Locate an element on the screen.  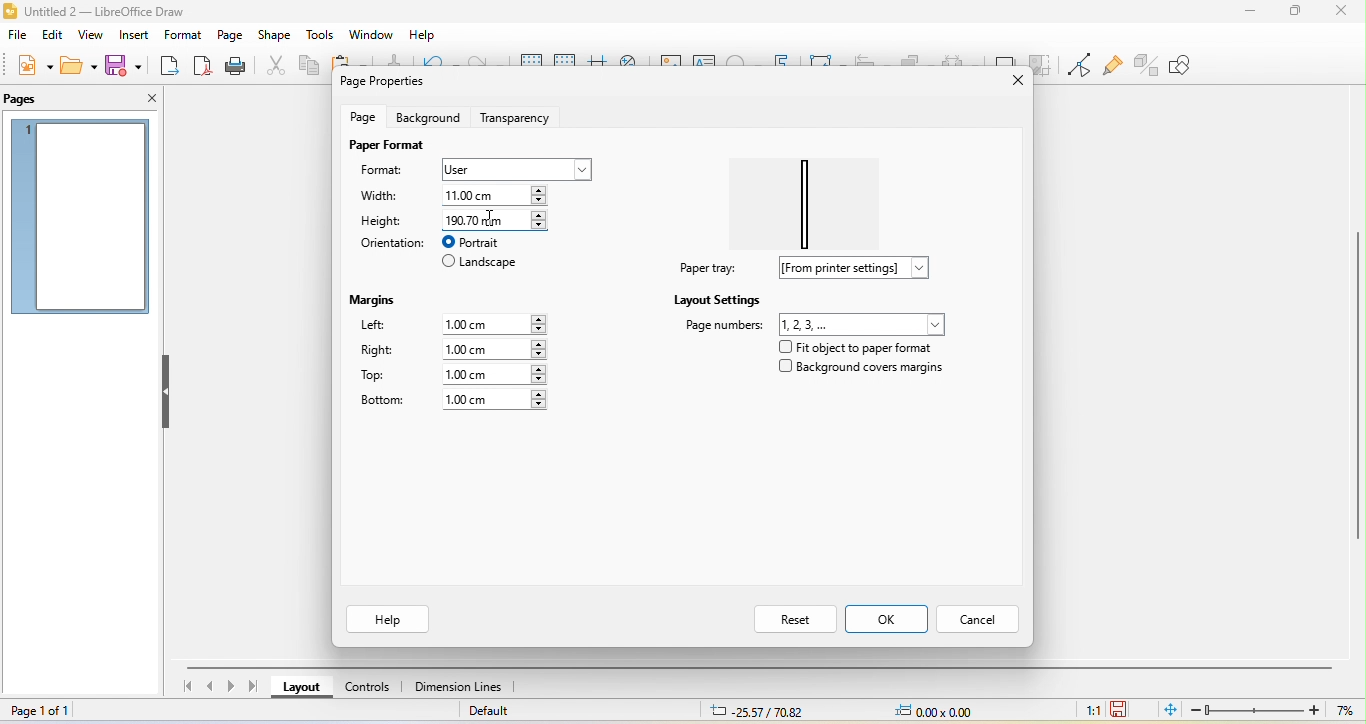
show gluepoint function is located at coordinates (1110, 66).